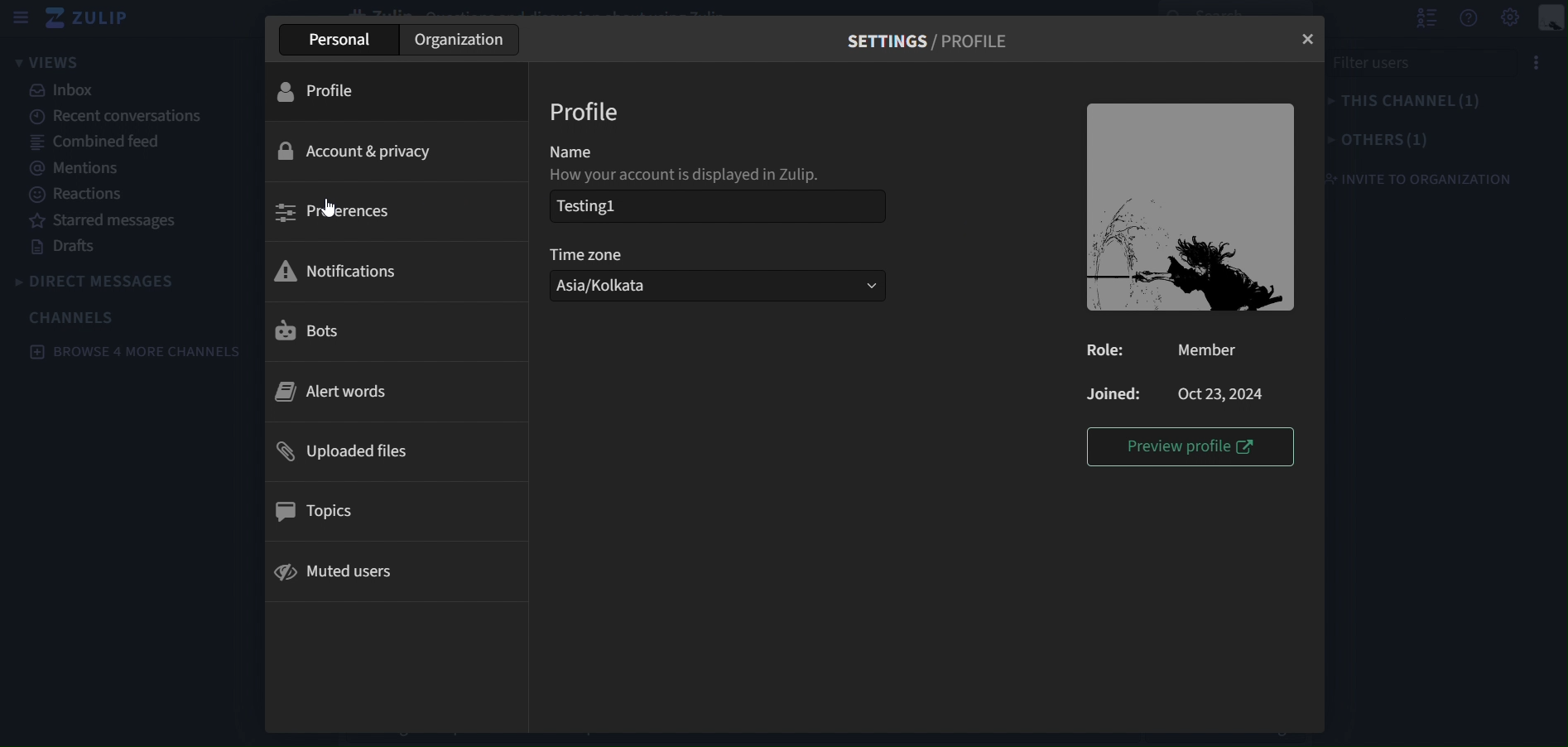  Describe the element at coordinates (64, 247) in the screenshot. I see `drafts` at that location.